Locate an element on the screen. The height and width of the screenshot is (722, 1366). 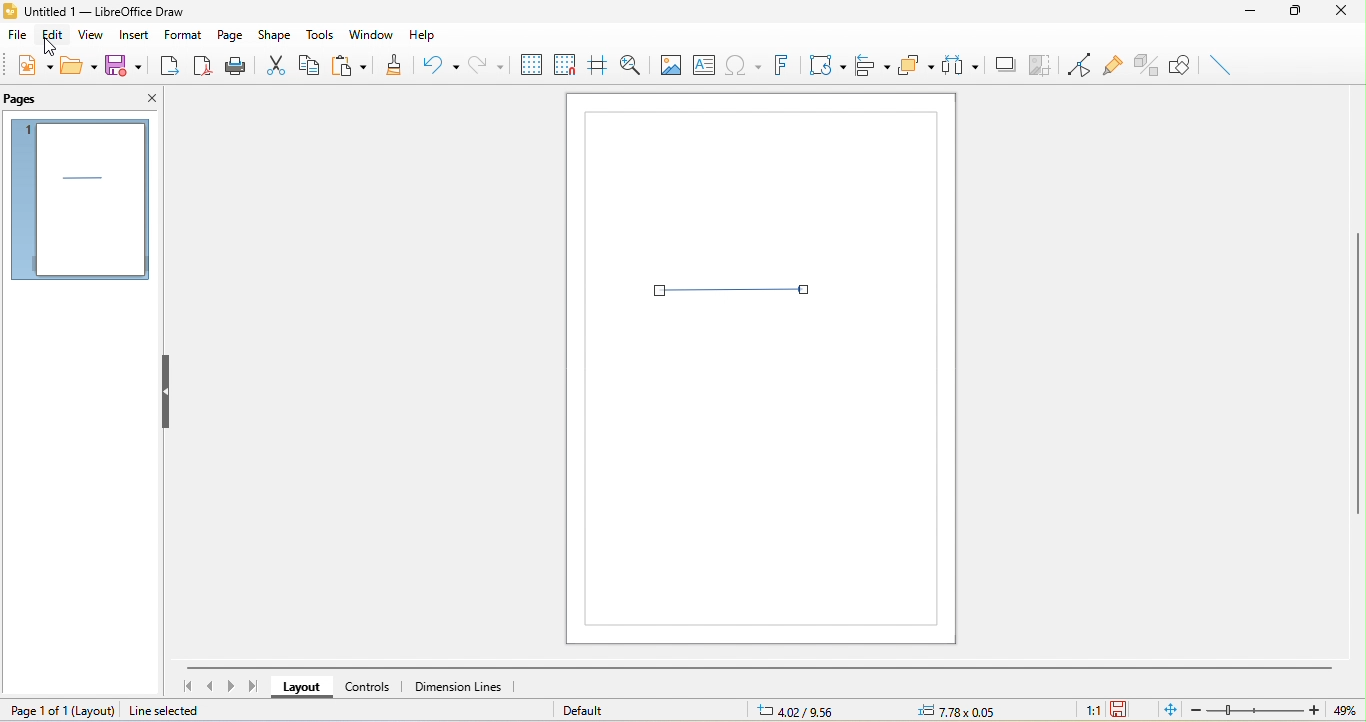
align objects is located at coordinates (874, 66).